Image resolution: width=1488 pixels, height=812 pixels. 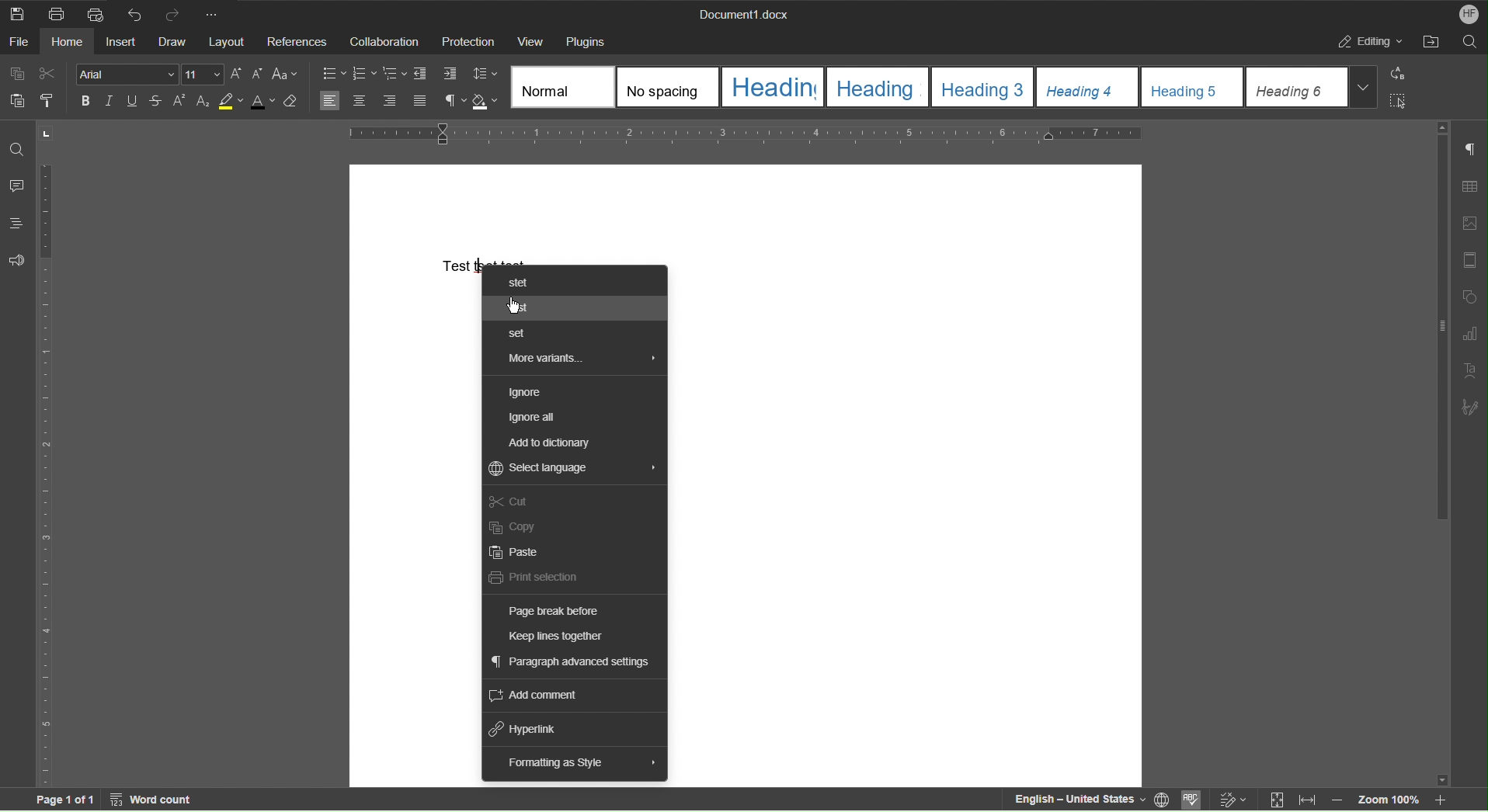 What do you see at coordinates (393, 102) in the screenshot?
I see `Align Right` at bounding box center [393, 102].